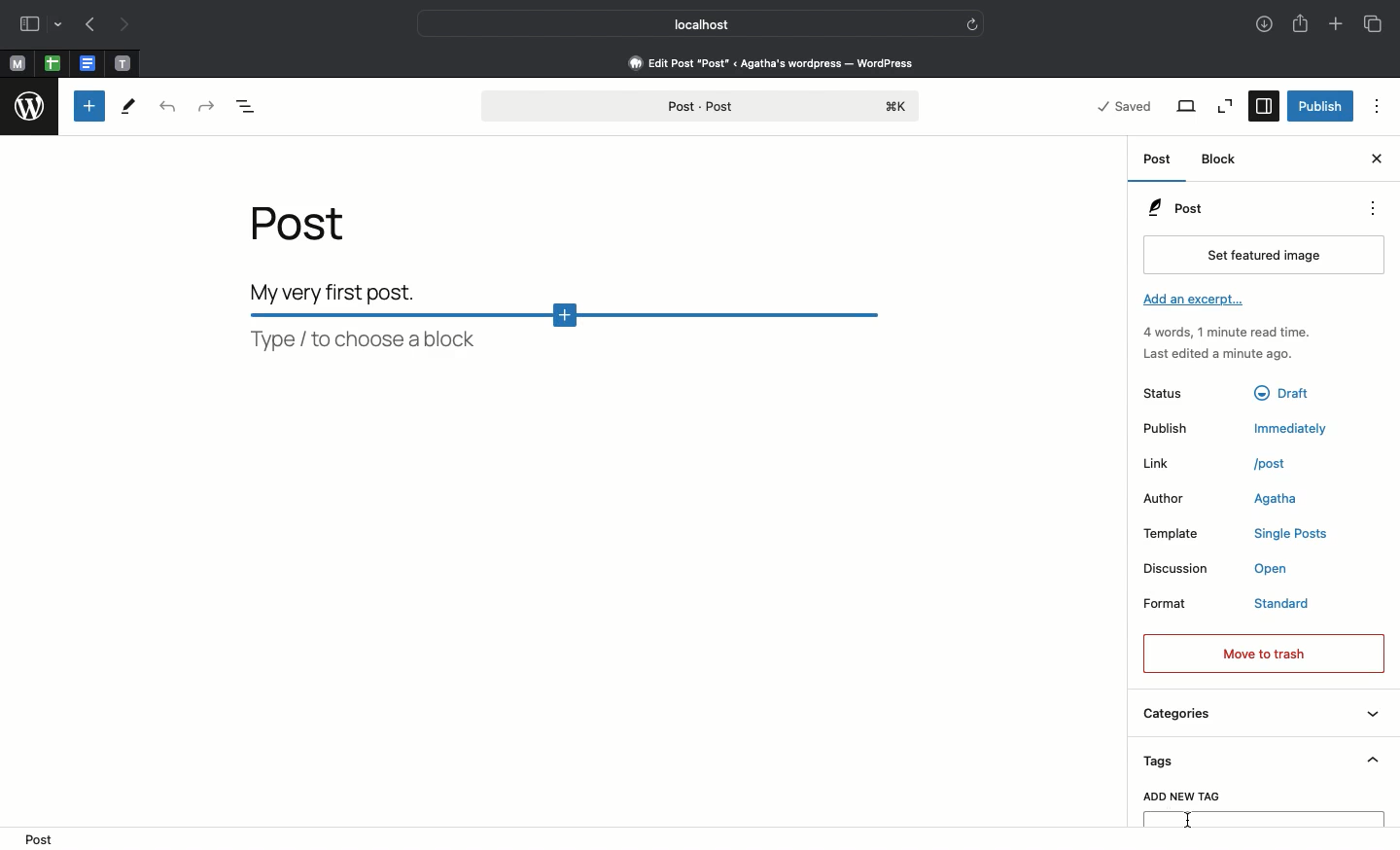 This screenshot has height=850, width=1400. What do you see at coordinates (1164, 392) in the screenshot?
I see `Status` at bounding box center [1164, 392].